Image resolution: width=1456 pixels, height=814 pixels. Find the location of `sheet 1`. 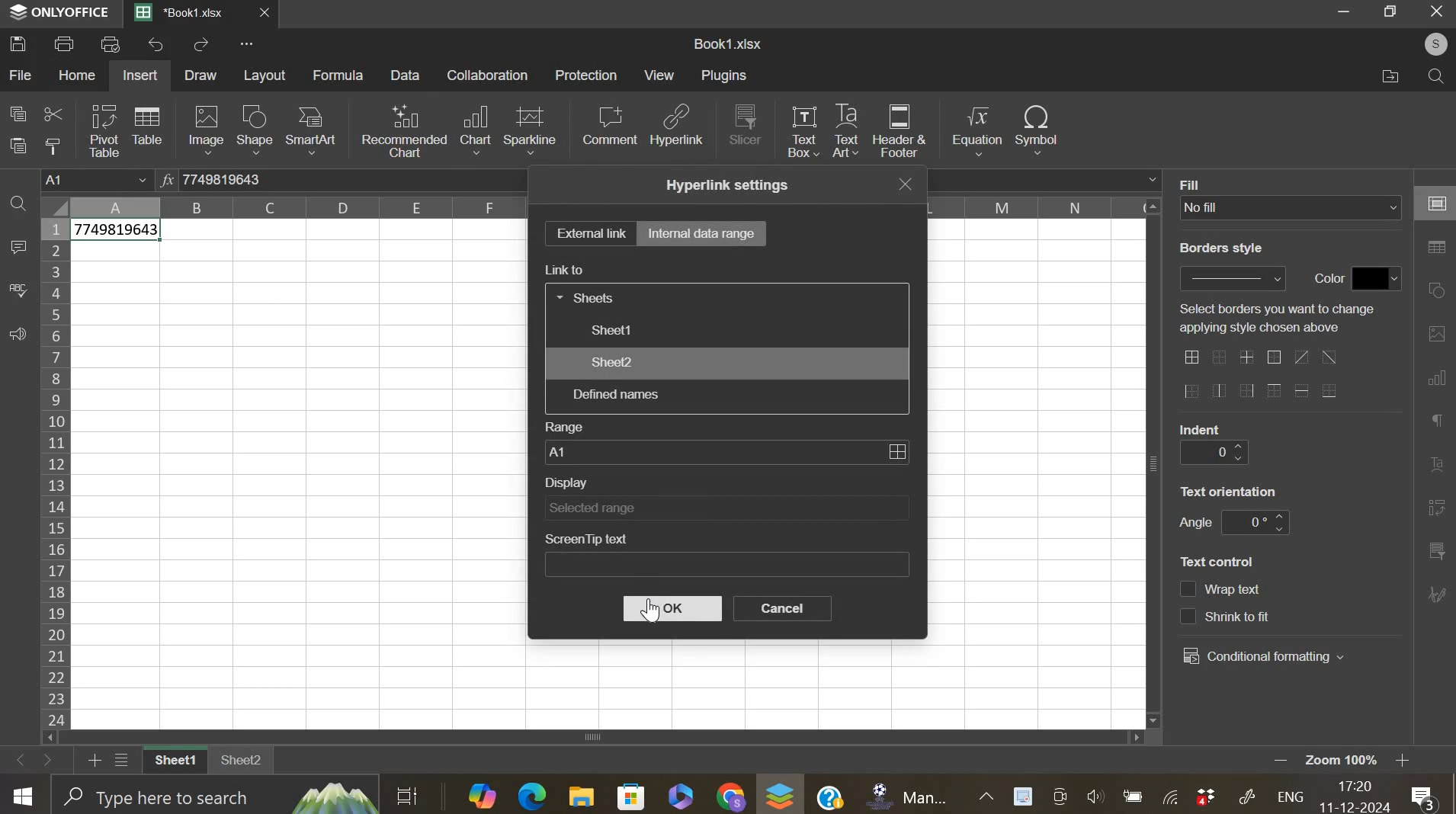

sheet 1 is located at coordinates (611, 329).